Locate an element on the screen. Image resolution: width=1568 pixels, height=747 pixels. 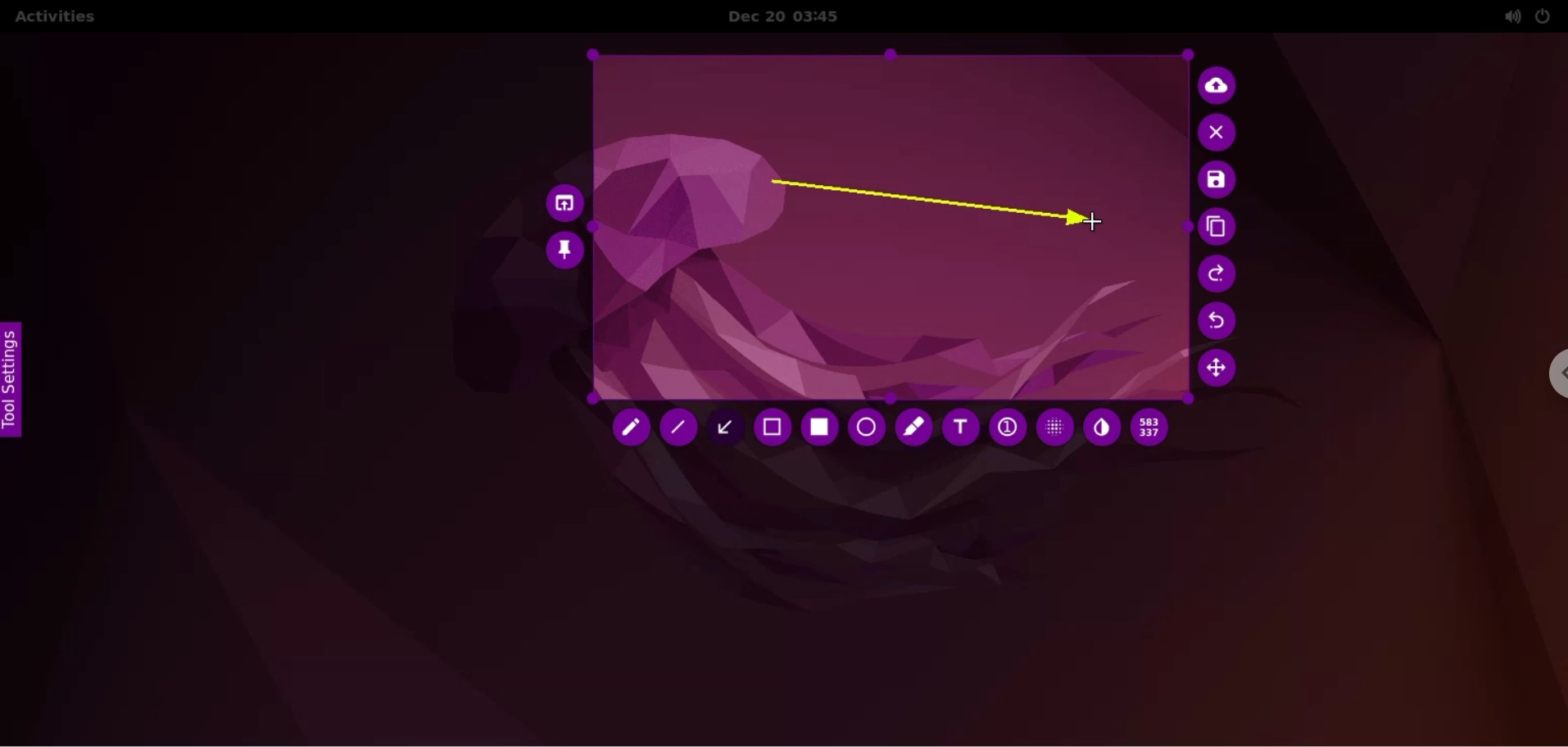
move selection is located at coordinates (1222, 372).